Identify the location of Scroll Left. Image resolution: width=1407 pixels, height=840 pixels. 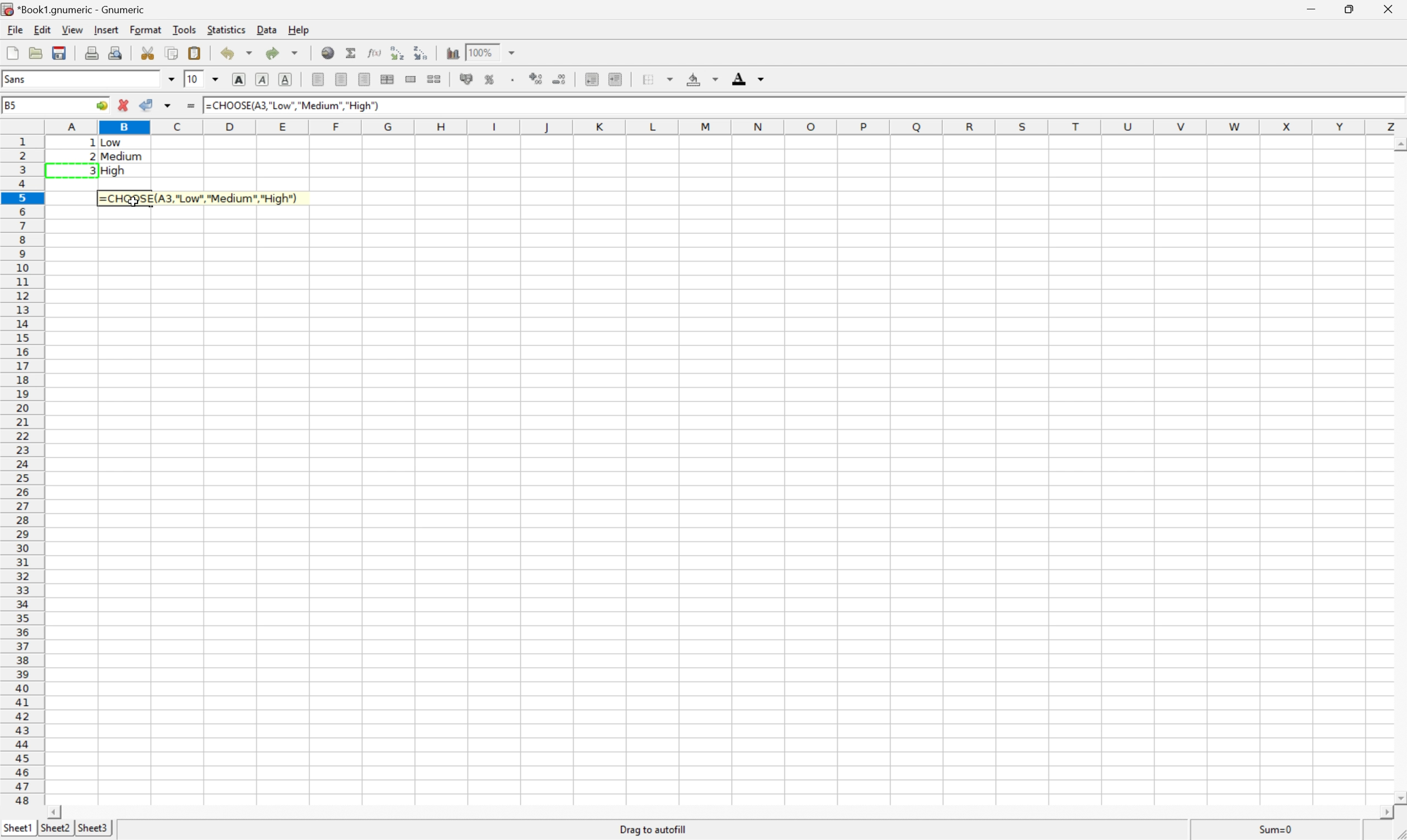
(57, 811).